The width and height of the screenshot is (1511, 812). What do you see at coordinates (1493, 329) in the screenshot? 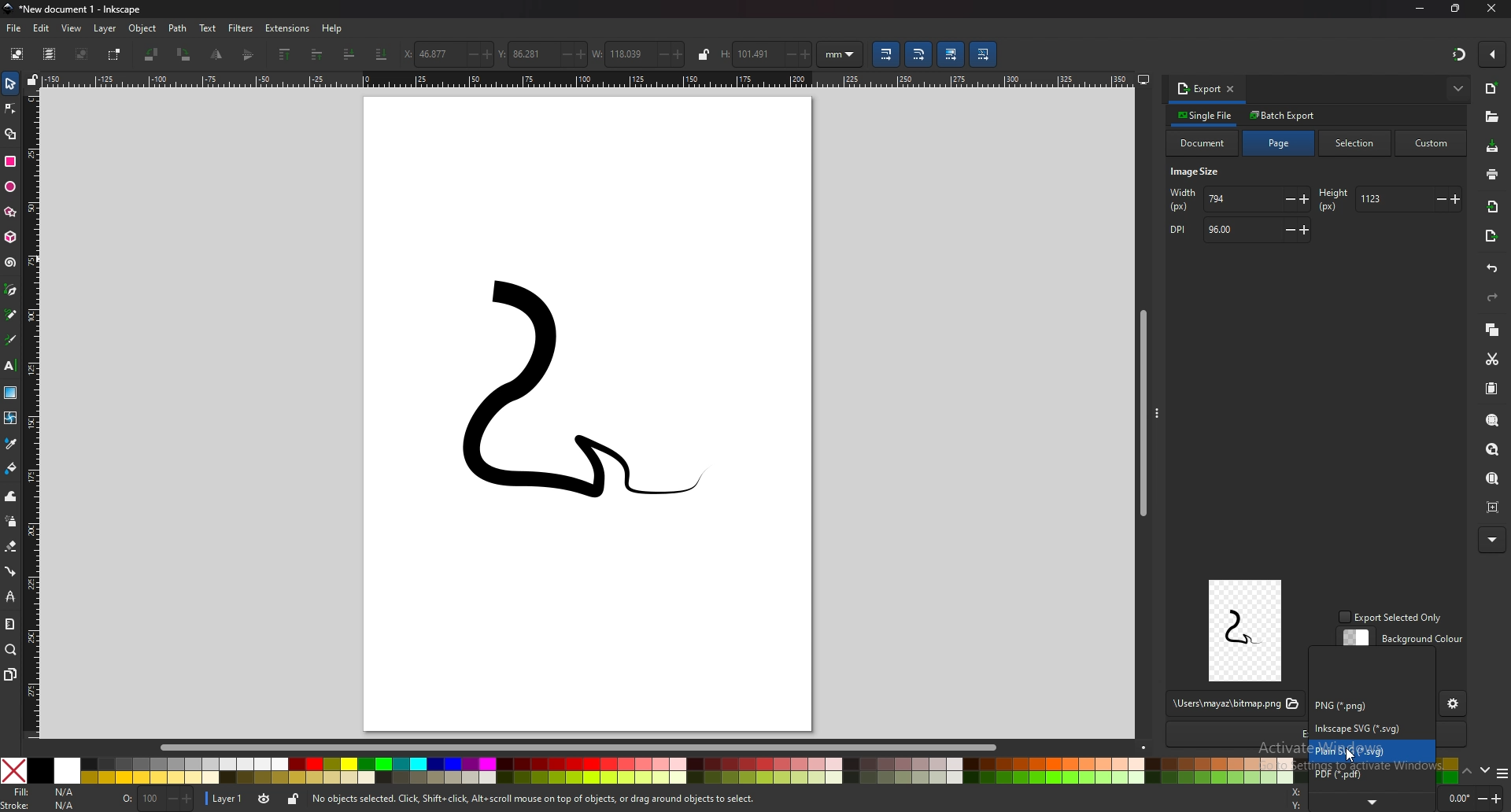
I see `copy` at bounding box center [1493, 329].